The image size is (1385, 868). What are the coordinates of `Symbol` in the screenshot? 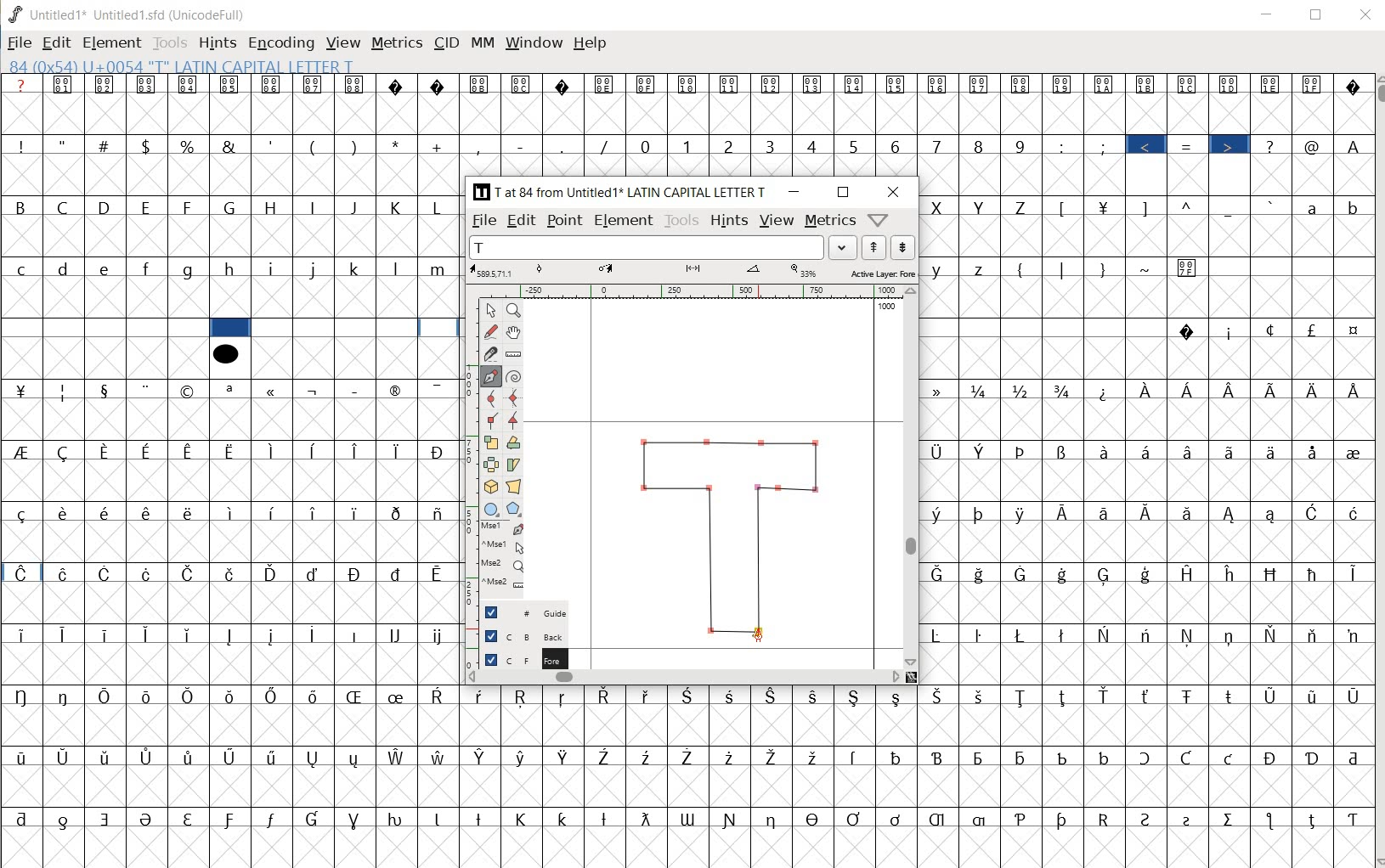 It's located at (1065, 697).